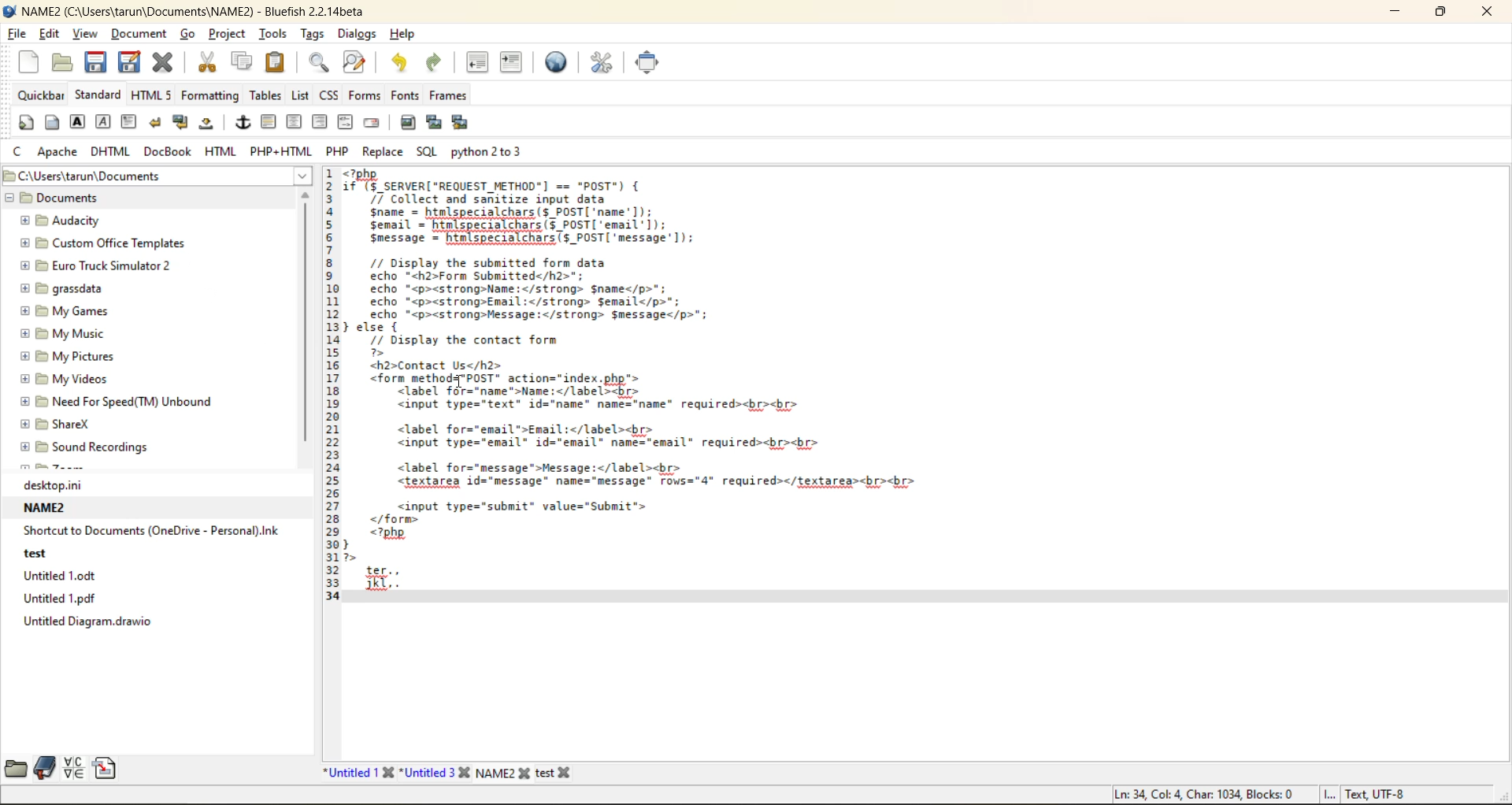 This screenshot has width=1512, height=805. Describe the element at coordinates (357, 34) in the screenshot. I see `dialogs` at that location.